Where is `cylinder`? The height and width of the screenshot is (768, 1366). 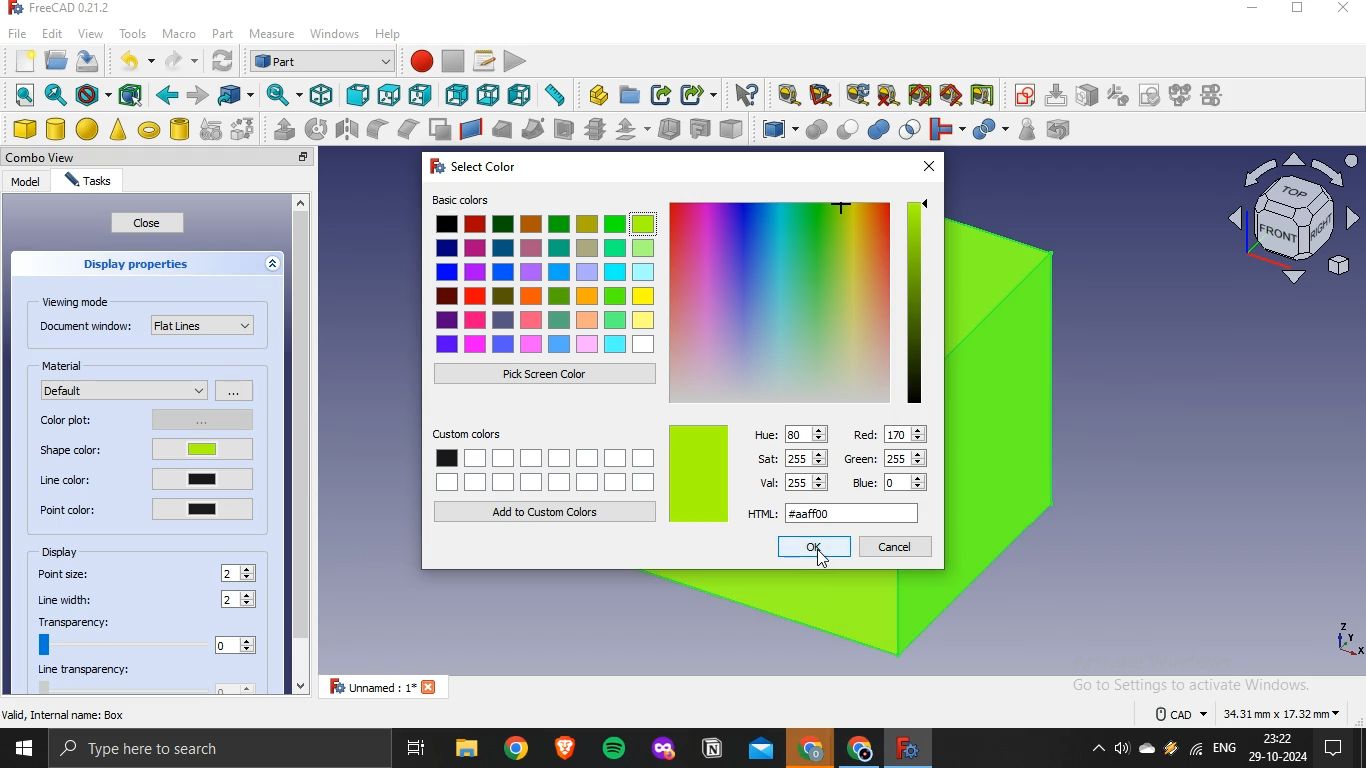
cylinder is located at coordinates (57, 129).